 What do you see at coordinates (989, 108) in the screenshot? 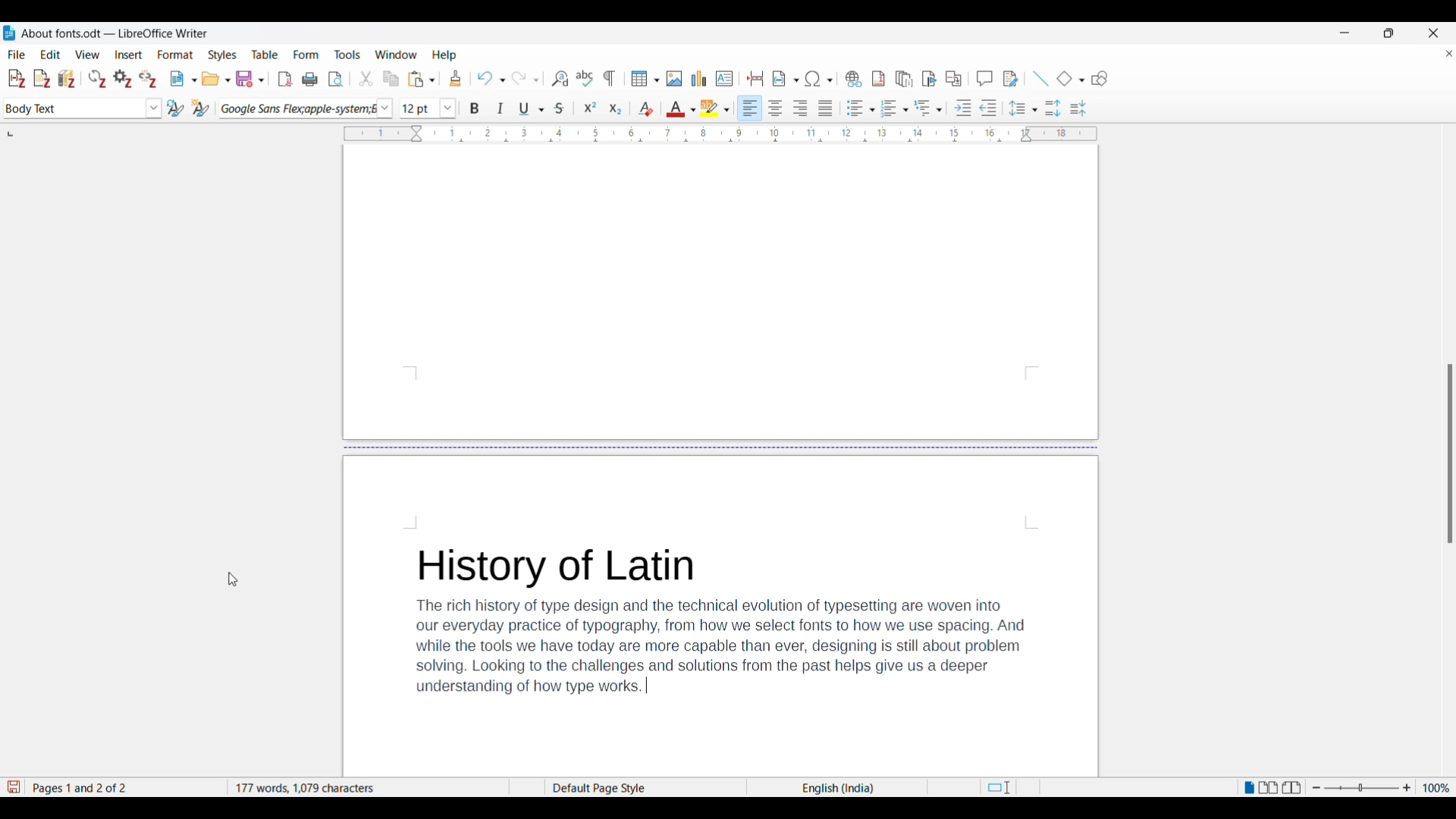
I see `Decrease indentation` at bounding box center [989, 108].